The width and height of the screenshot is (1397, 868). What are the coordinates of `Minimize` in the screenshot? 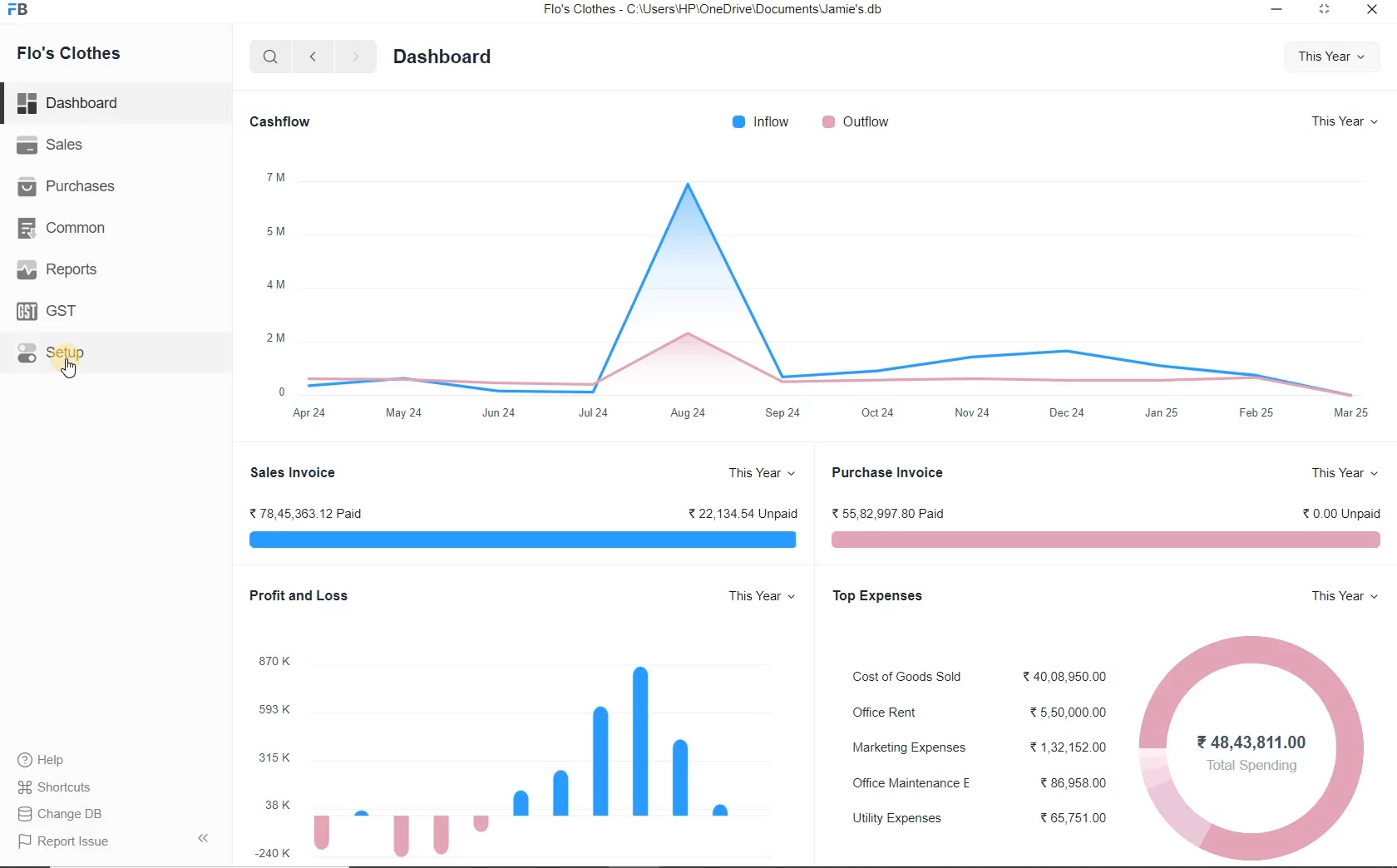 It's located at (1277, 11).